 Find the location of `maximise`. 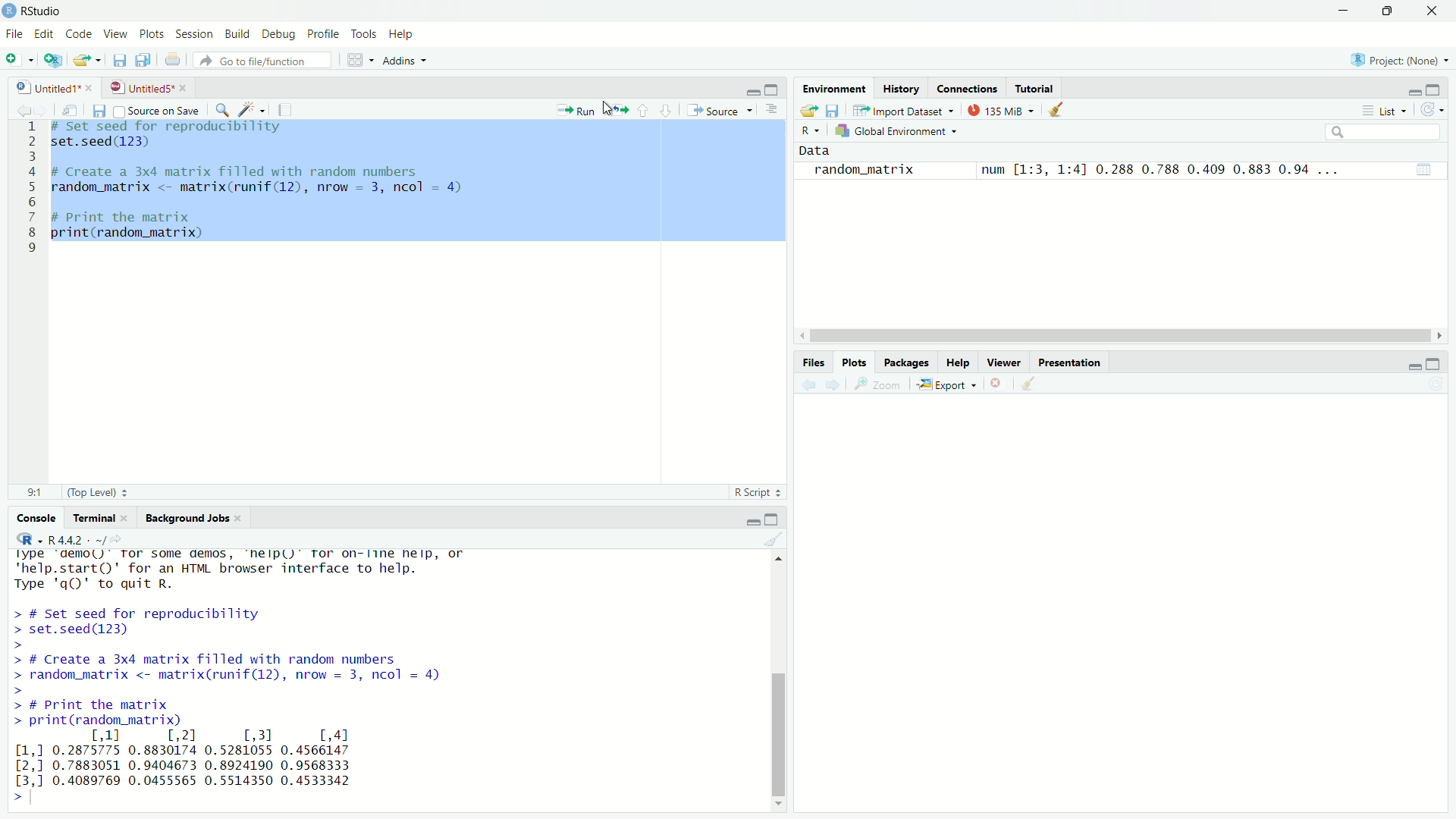

maximise is located at coordinates (1392, 14).